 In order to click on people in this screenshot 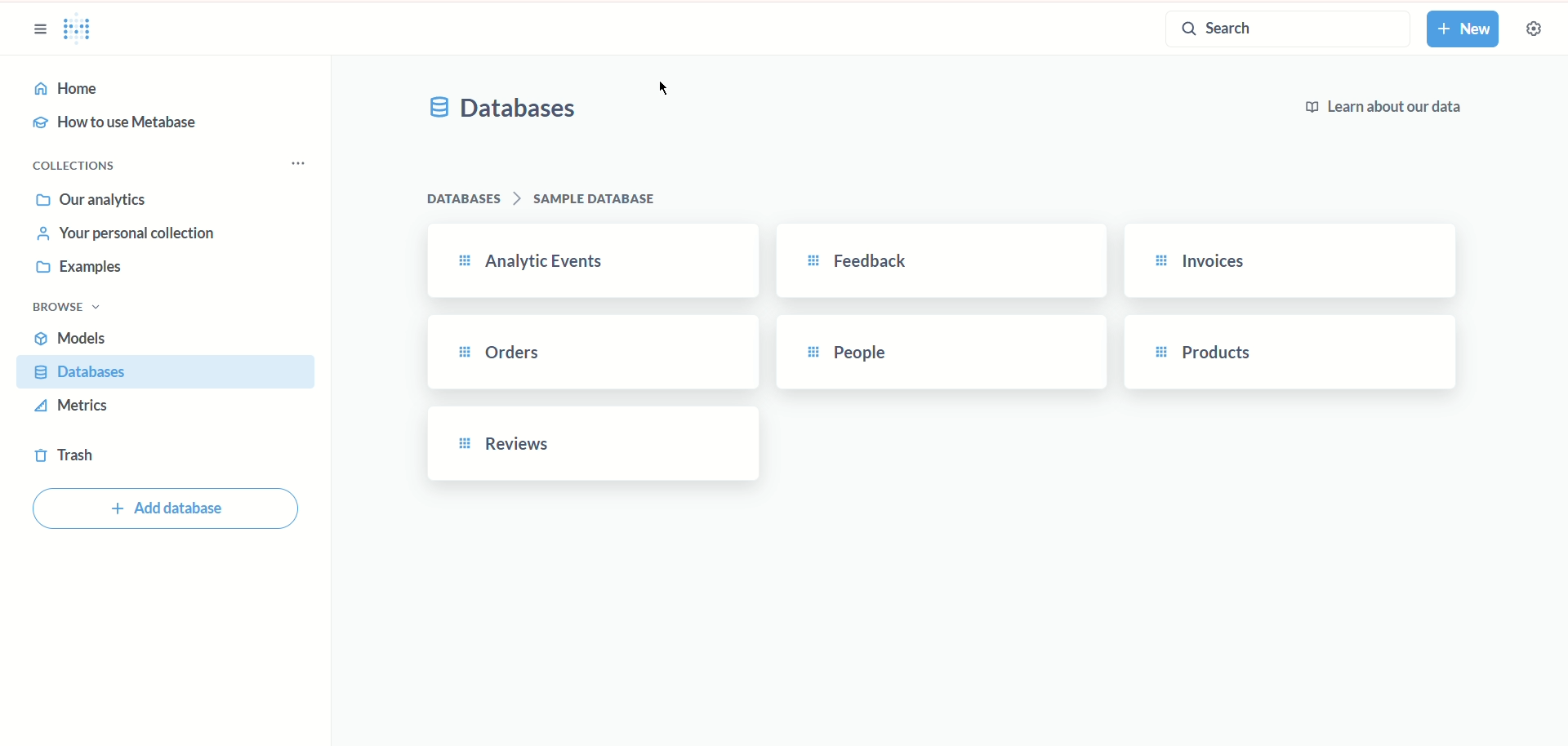, I will do `click(940, 353)`.